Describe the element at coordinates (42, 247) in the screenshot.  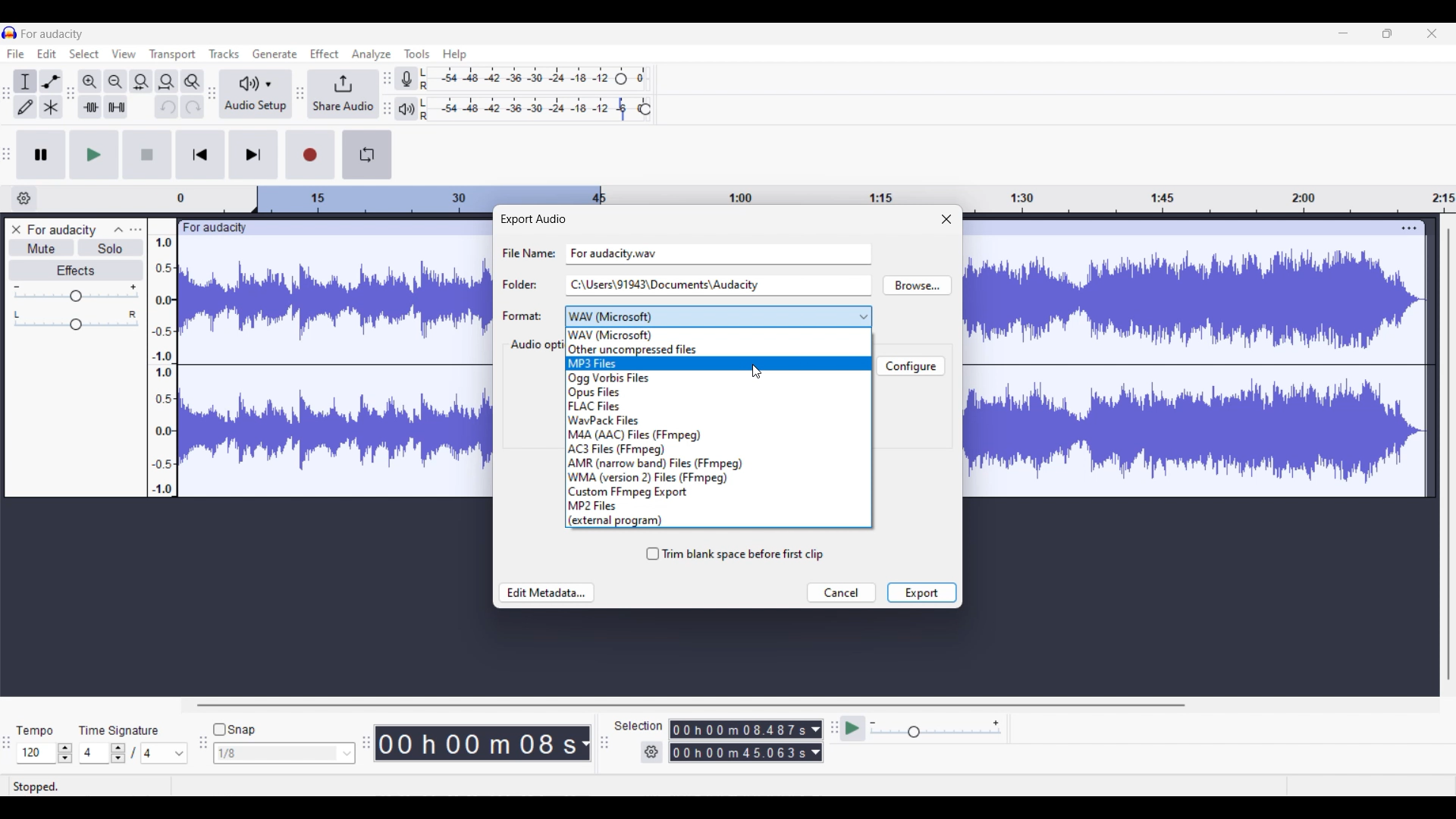
I see `Mute` at that location.